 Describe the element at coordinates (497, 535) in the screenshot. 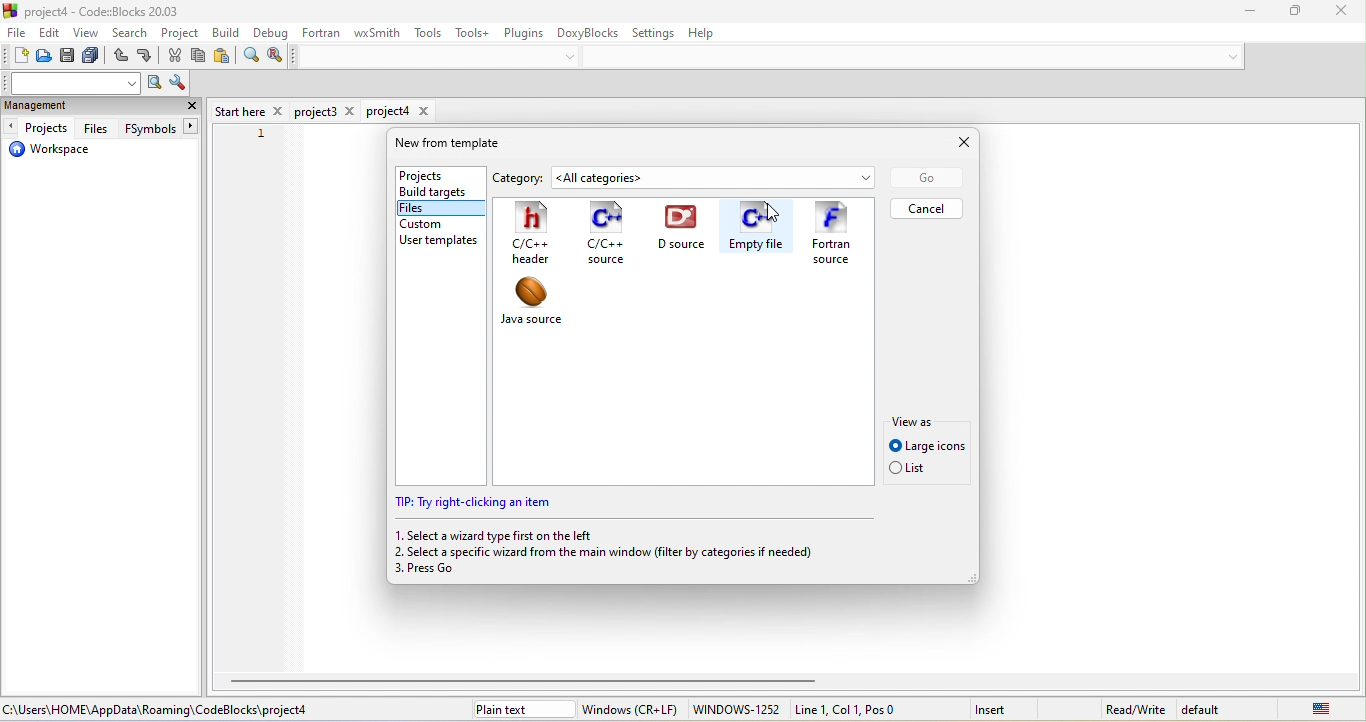

I see `1. select a wizard type first on the left` at that location.